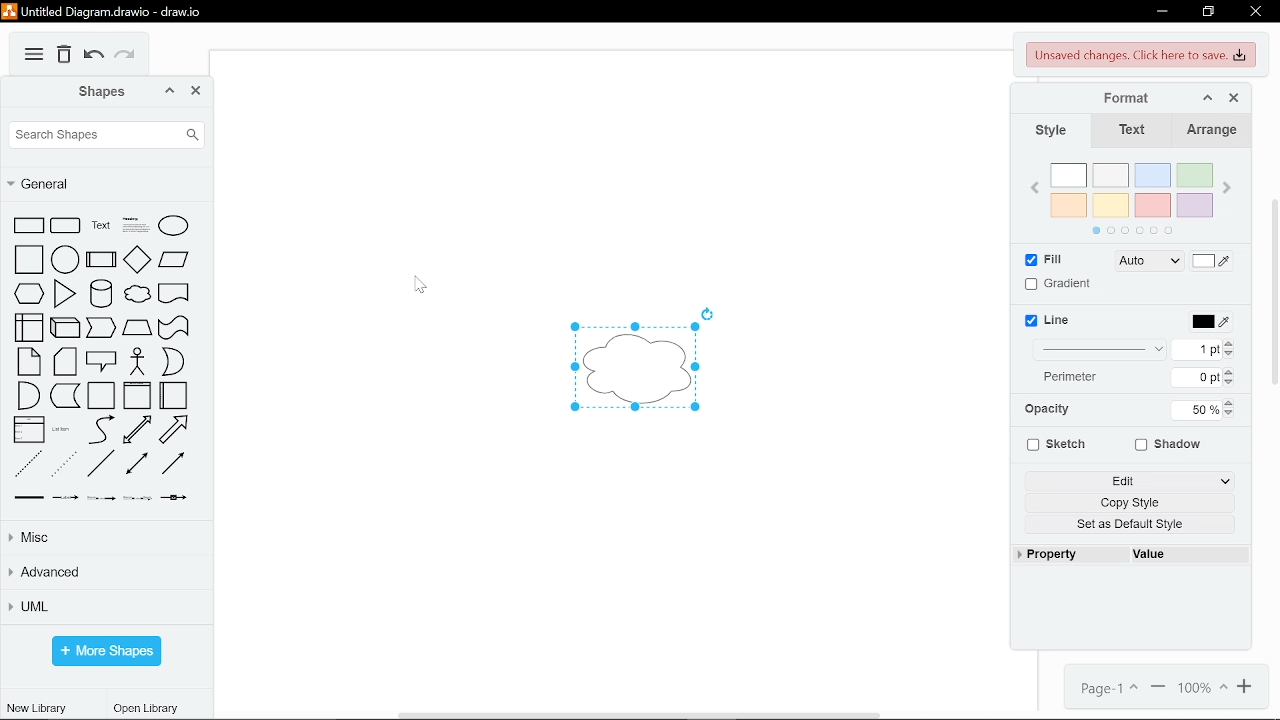 The height and width of the screenshot is (720, 1280). What do you see at coordinates (1215, 261) in the screenshot?
I see `fill color` at bounding box center [1215, 261].